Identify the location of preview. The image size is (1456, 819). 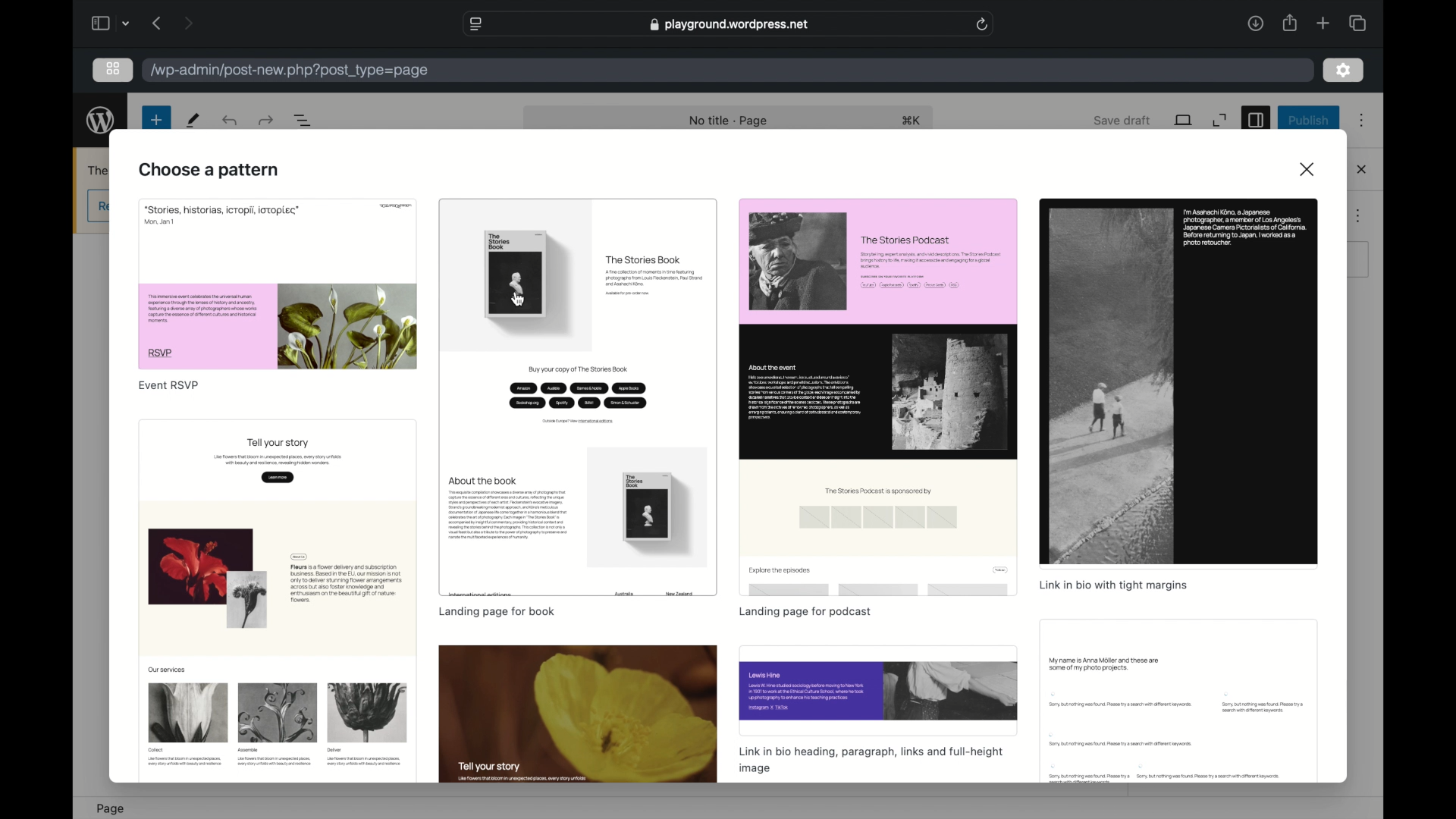
(580, 397).